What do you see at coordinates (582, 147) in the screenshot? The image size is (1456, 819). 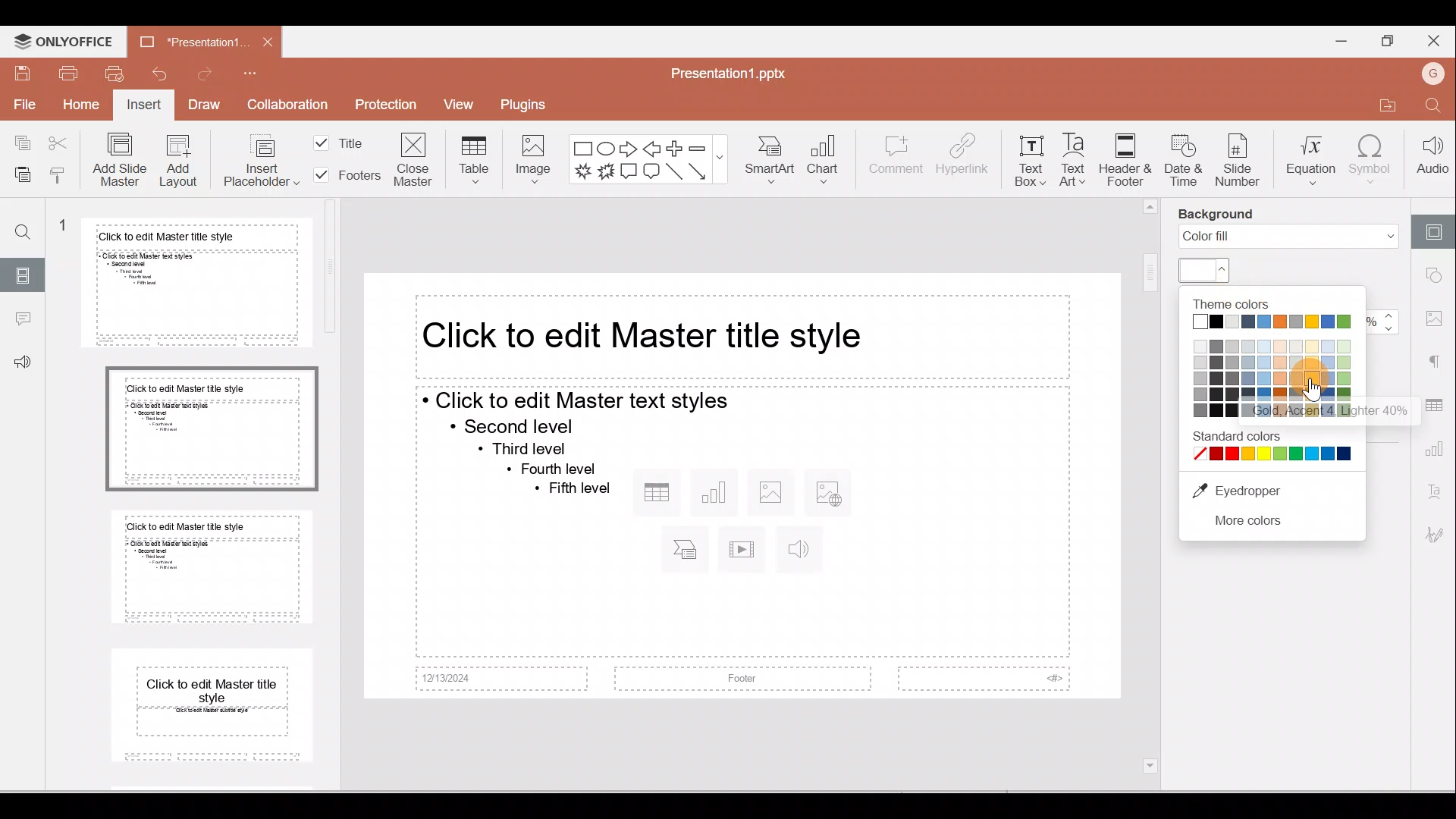 I see `Rectangle` at bounding box center [582, 147].